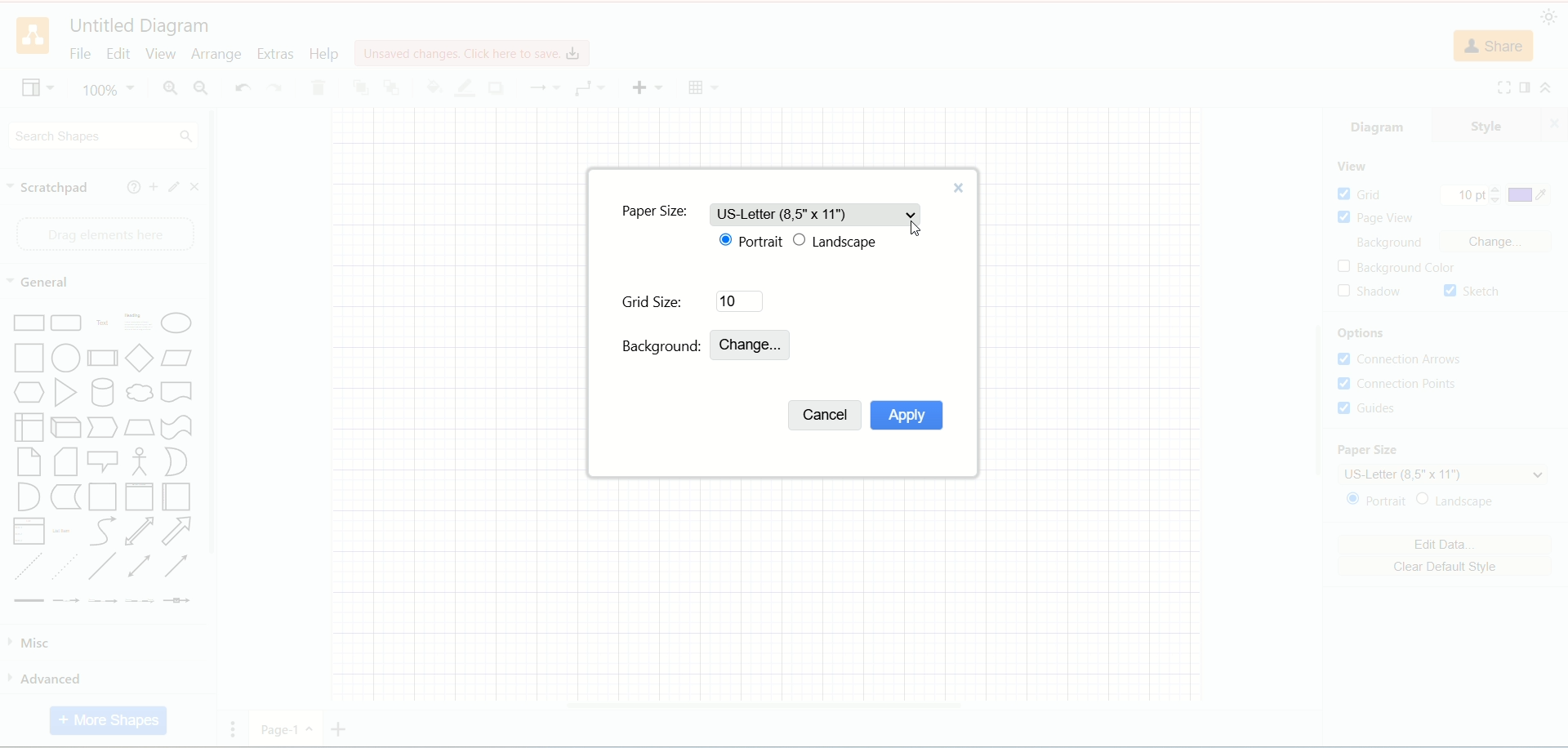 The image size is (1568, 748). Describe the element at coordinates (30, 394) in the screenshot. I see `Hexagon` at that location.